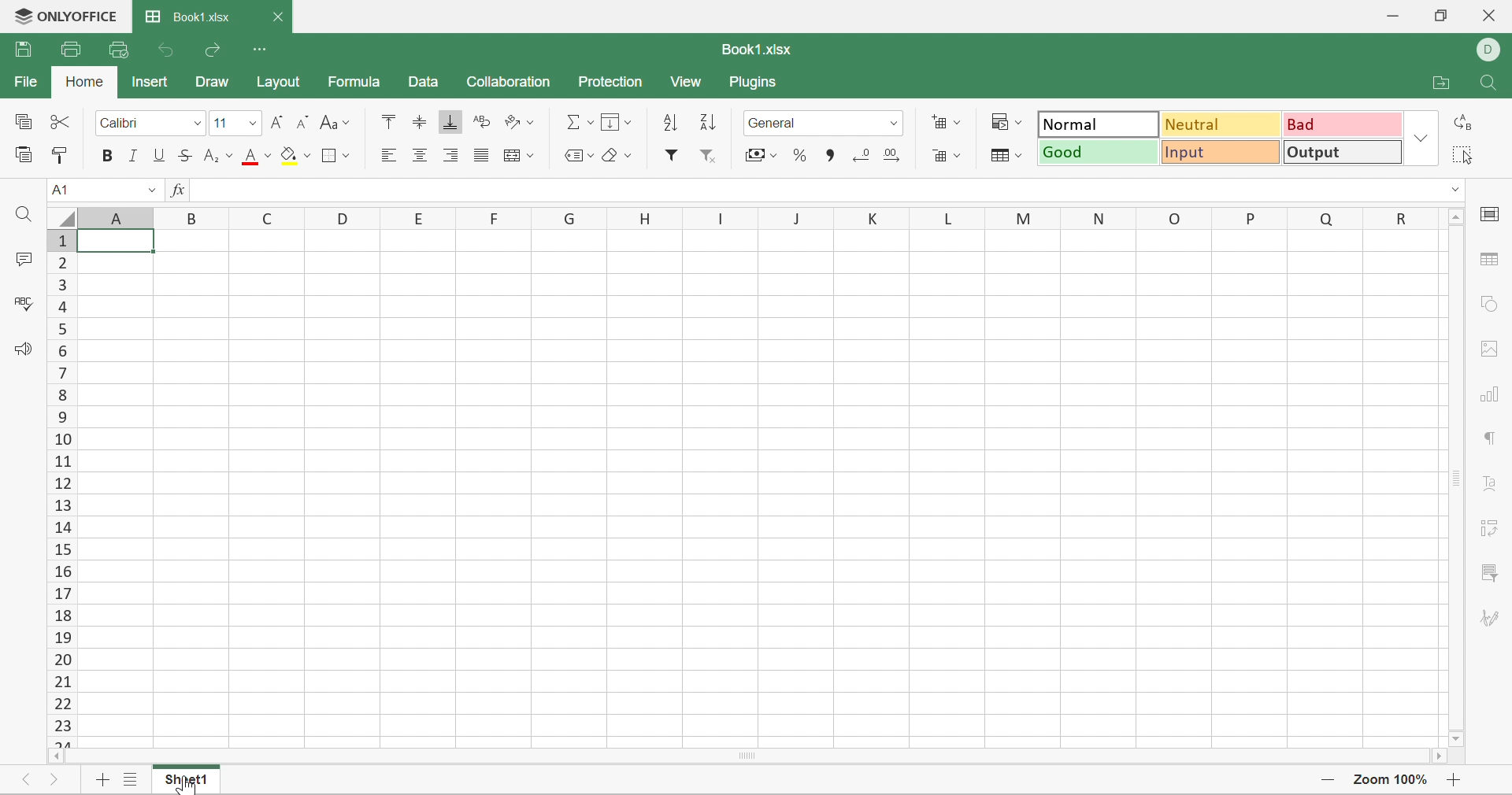  Describe the element at coordinates (450, 156) in the screenshot. I see `Align Right` at that location.